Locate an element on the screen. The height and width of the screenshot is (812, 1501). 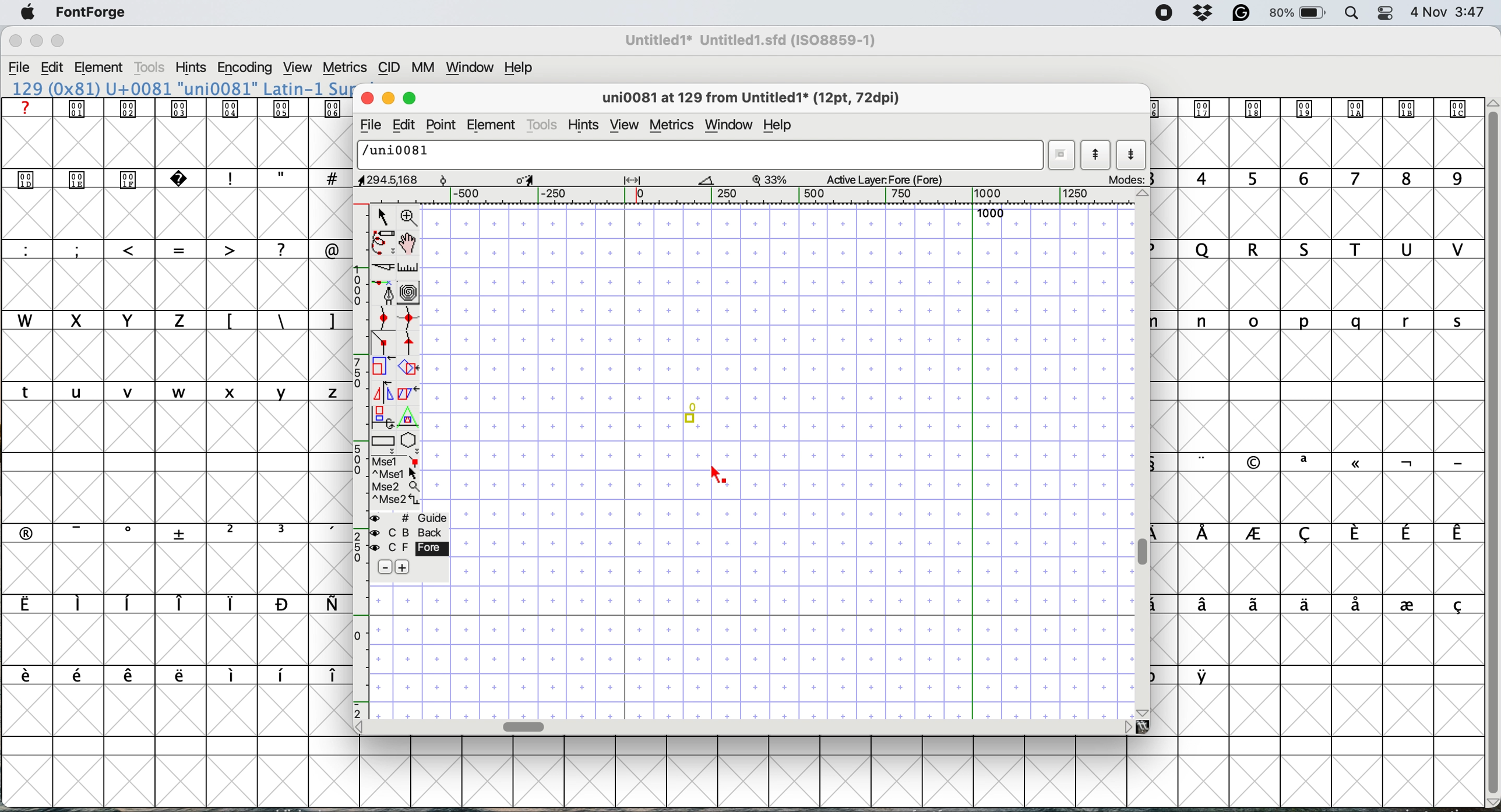
zoom is located at coordinates (412, 217).